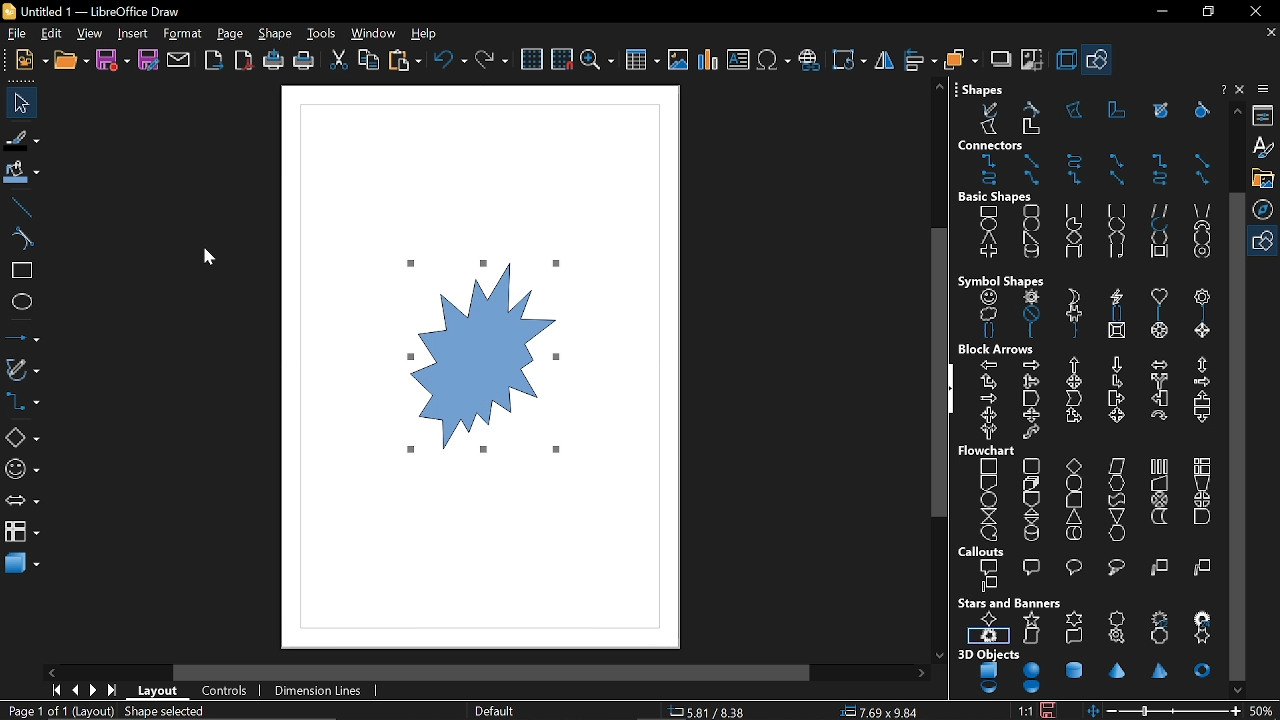 The image size is (1280, 720). What do you see at coordinates (1263, 178) in the screenshot?
I see `gallery` at bounding box center [1263, 178].